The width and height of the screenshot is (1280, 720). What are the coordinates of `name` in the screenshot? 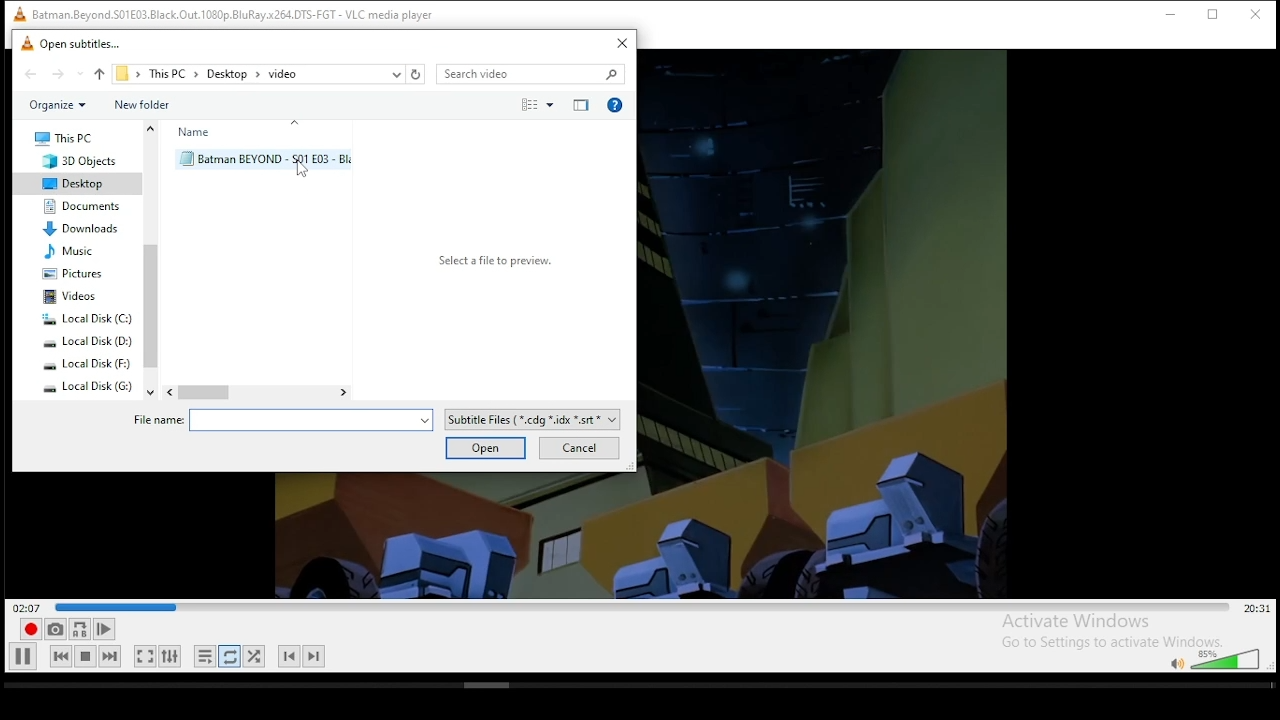 It's located at (193, 133).